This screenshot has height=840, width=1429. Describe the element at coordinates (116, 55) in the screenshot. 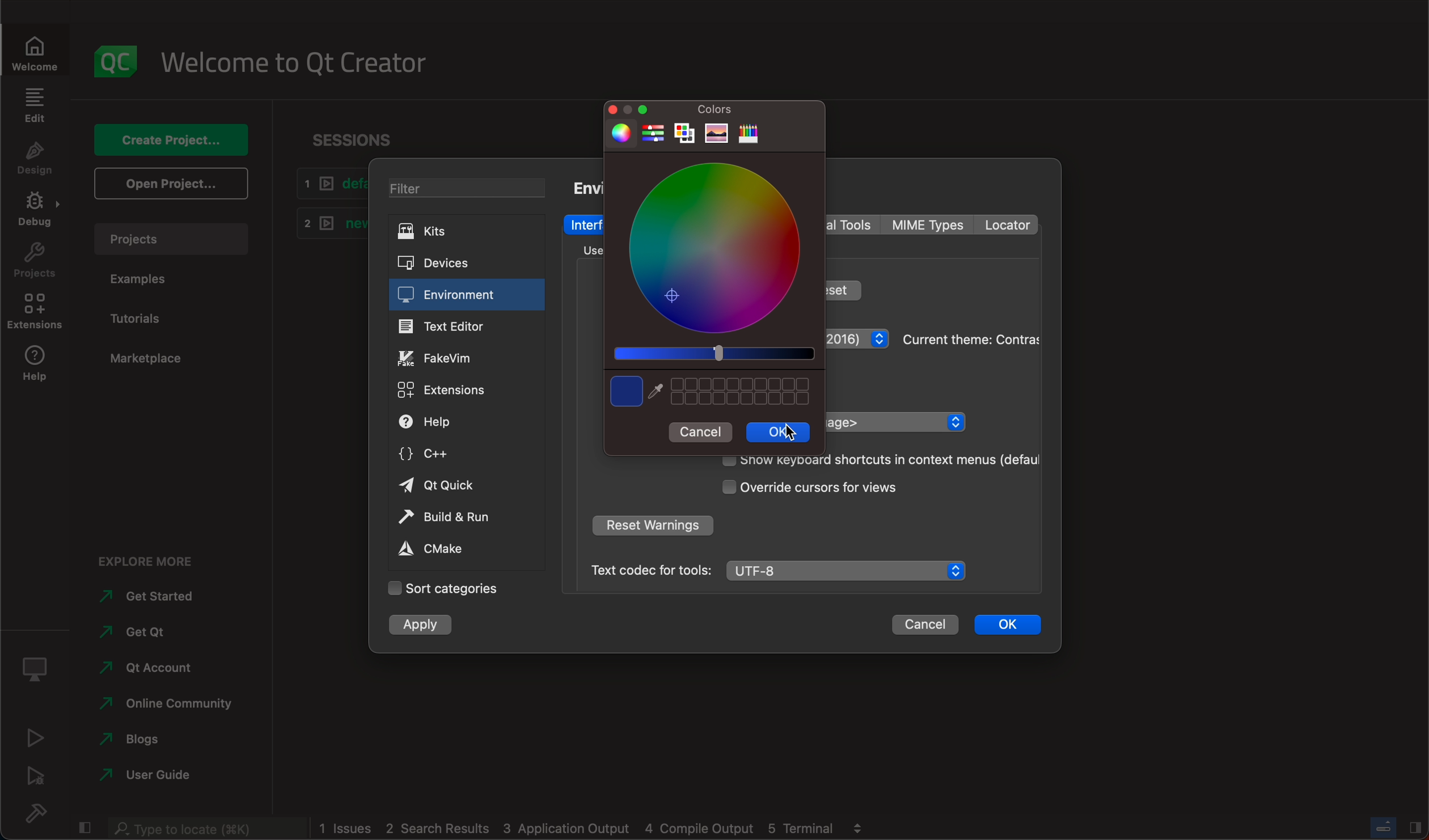

I see `logo` at that location.